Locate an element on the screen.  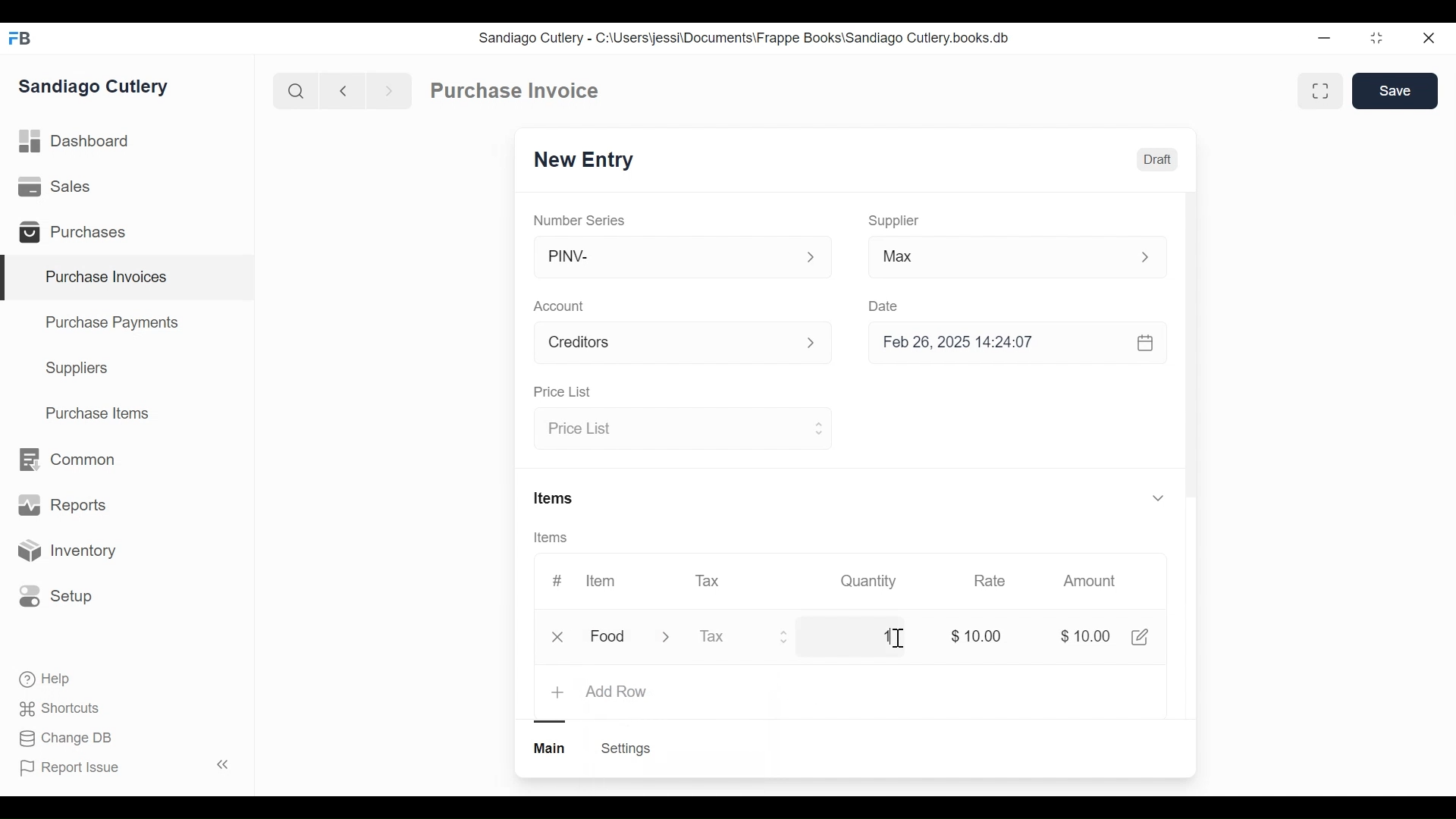
Sandiago Cutlery - C:\Users\jessi\Documents\Frappe Books\Sandiago Cutlery.books.db is located at coordinates (745, 38).